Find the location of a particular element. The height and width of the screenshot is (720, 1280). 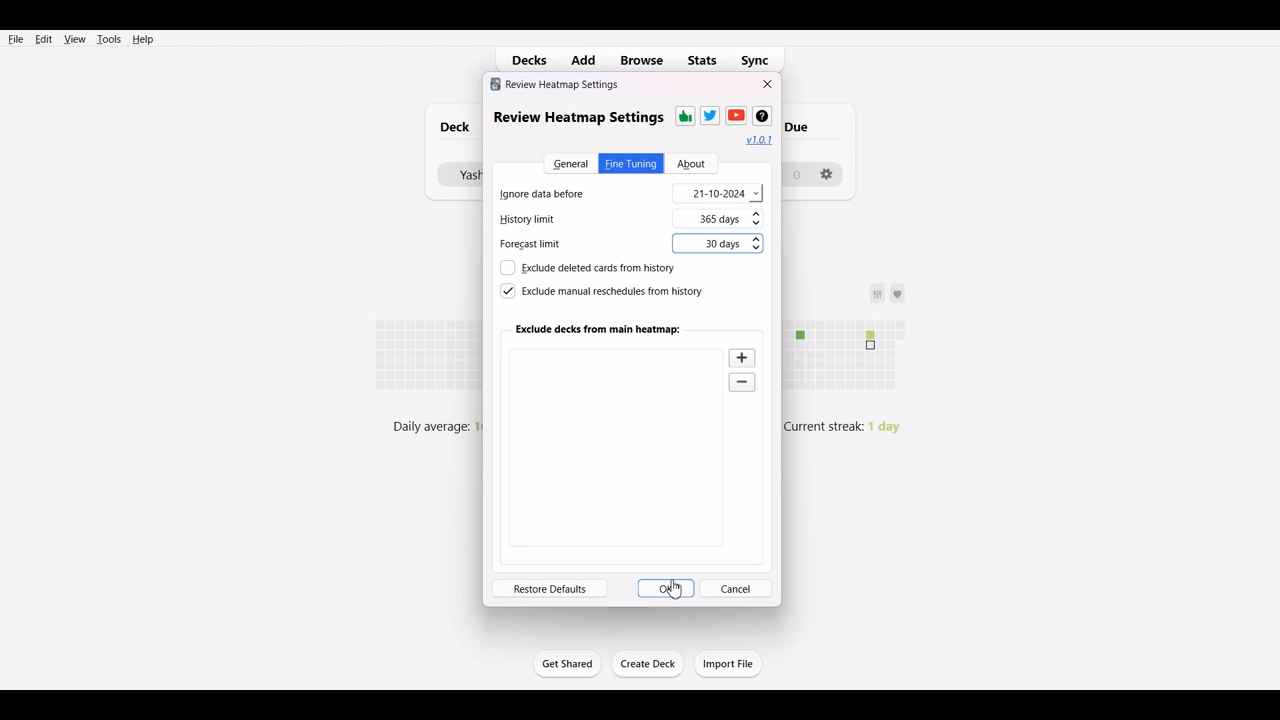

Stats is located at coordinates (703, 60).